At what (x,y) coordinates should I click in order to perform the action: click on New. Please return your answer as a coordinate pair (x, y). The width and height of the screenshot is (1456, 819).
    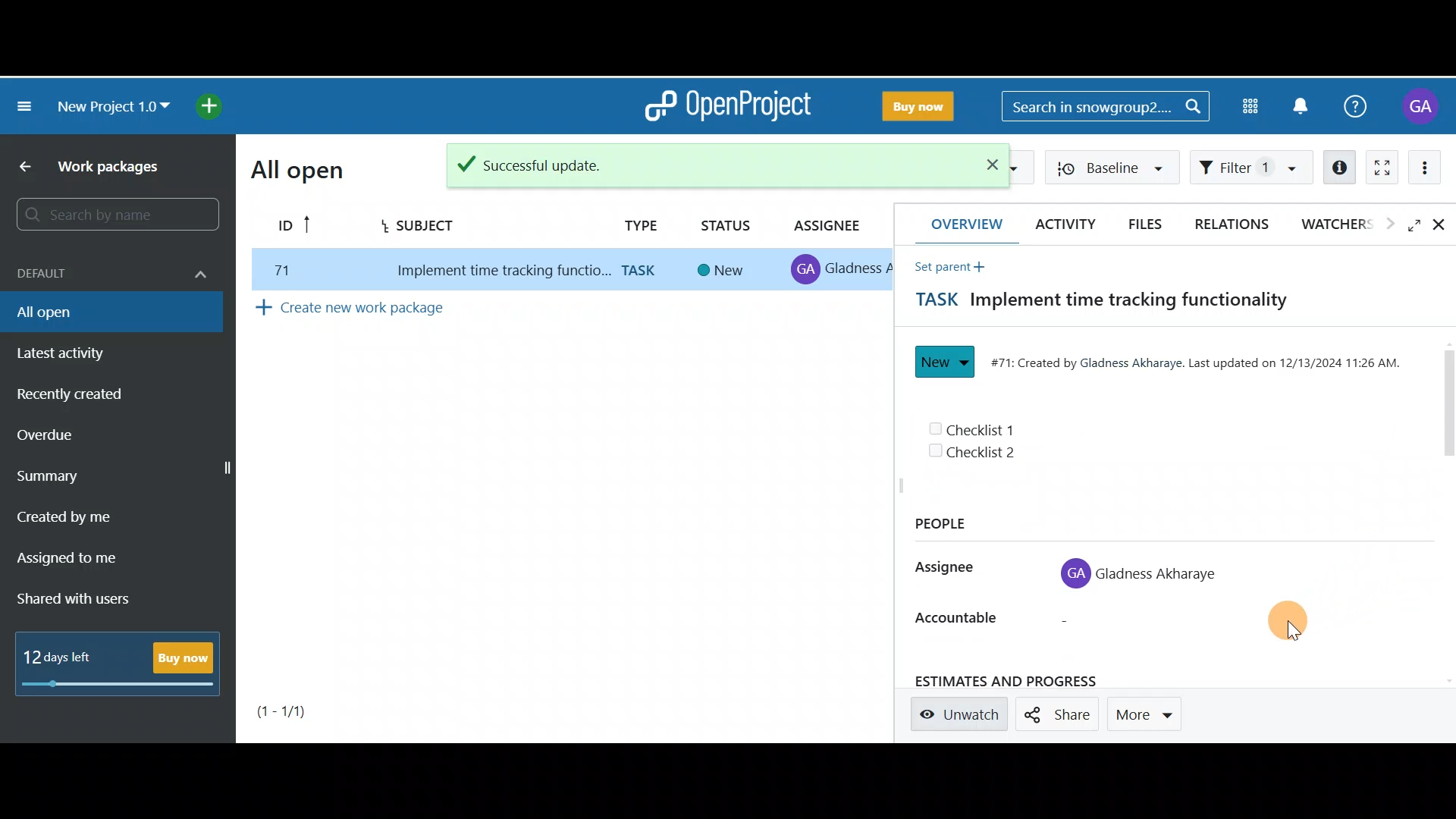
    Looking at the image, I should click on (946, 362).